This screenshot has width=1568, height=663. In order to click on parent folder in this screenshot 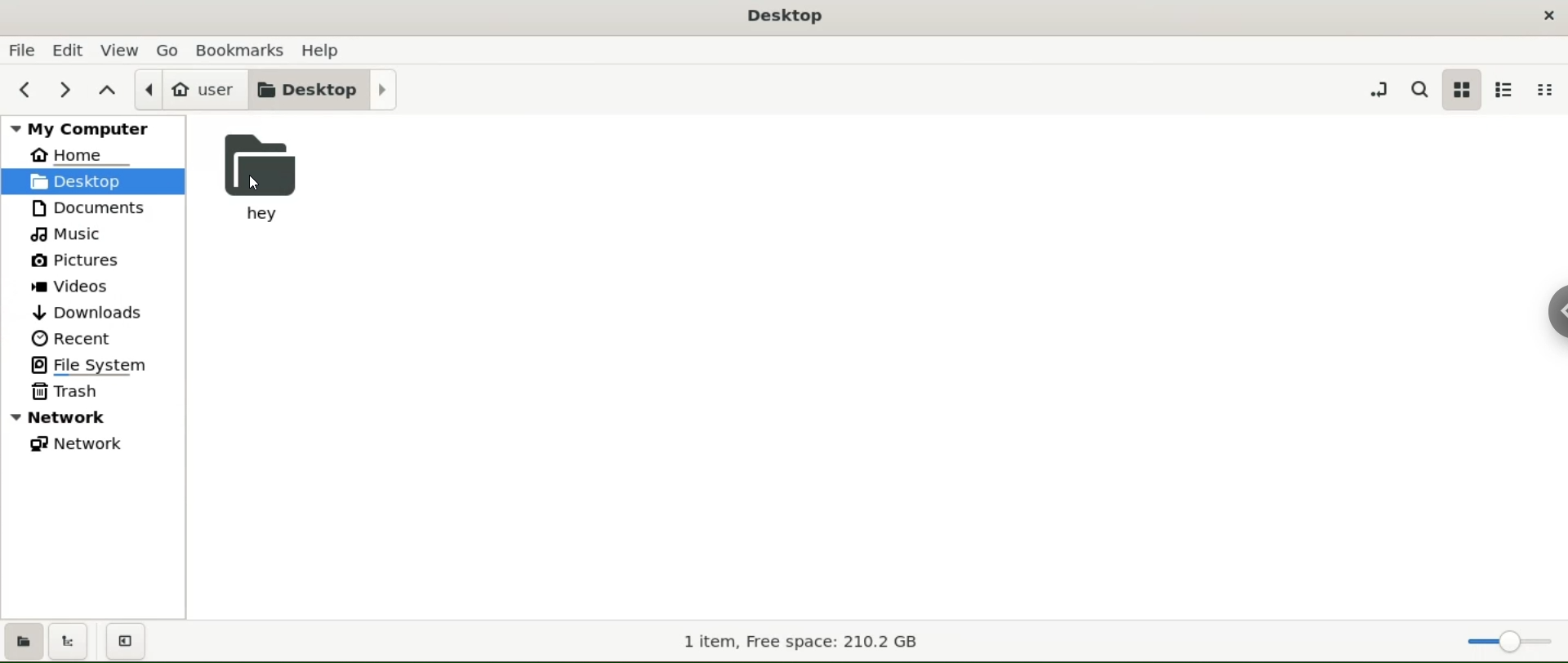, I will do `click(109, 87)`.